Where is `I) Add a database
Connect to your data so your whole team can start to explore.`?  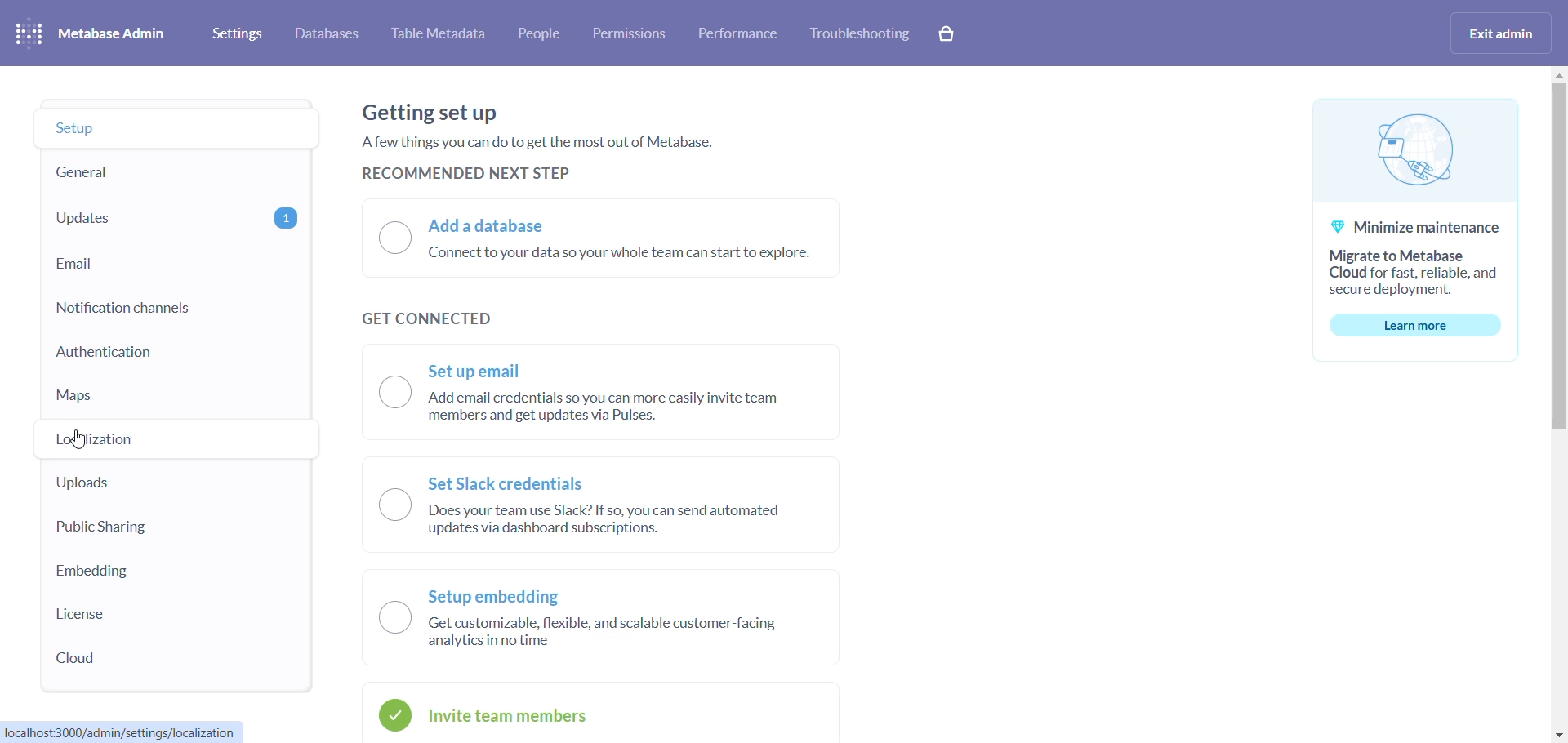 I) Add a database
Connect to your data so your whole team can start to explore. is located at coordinates (602, 242).